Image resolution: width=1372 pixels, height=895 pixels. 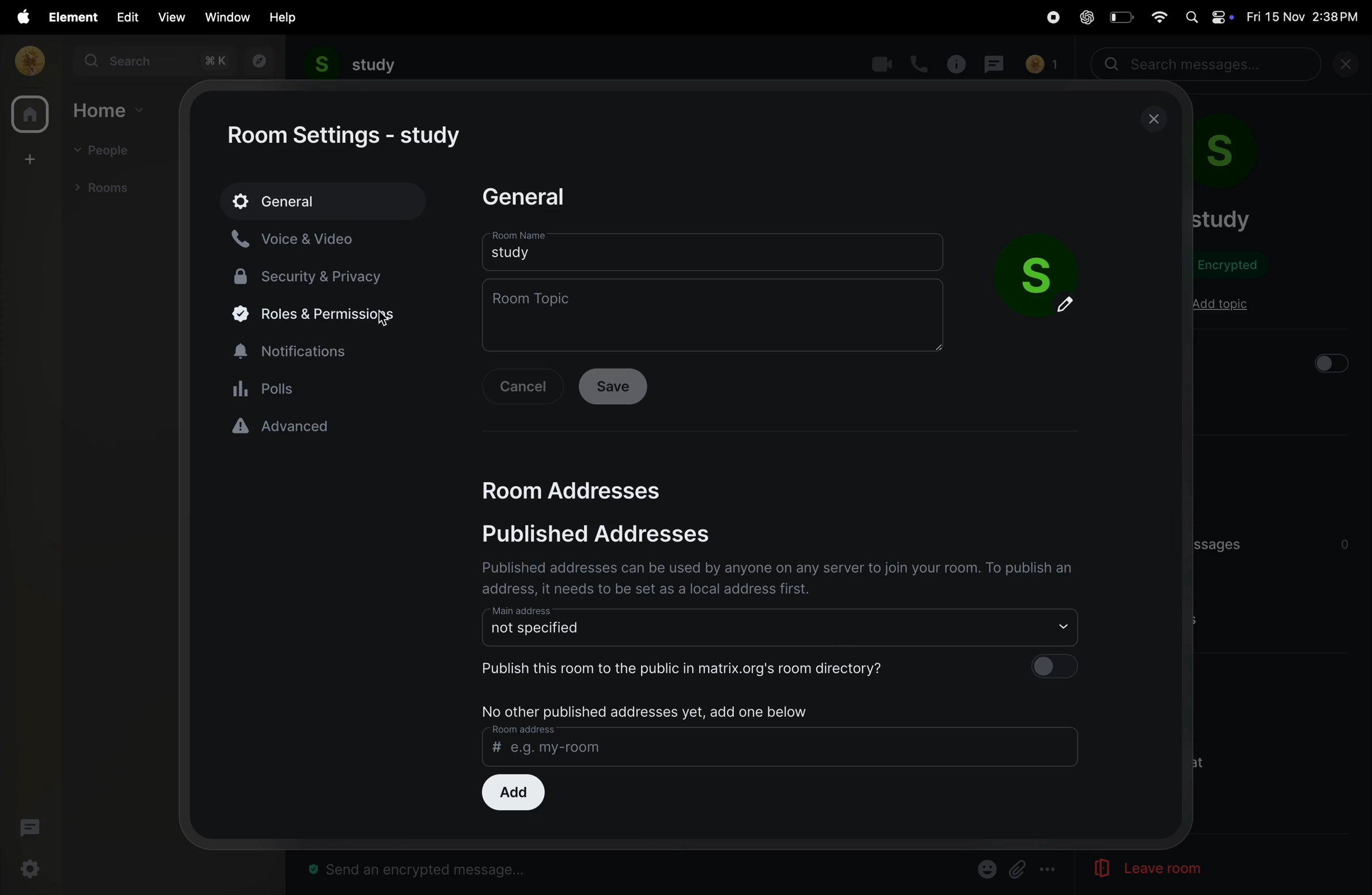 What do you see at coordinates (997, 62) in the screenshot?
I see `messages` at bounding box center [997, 62].